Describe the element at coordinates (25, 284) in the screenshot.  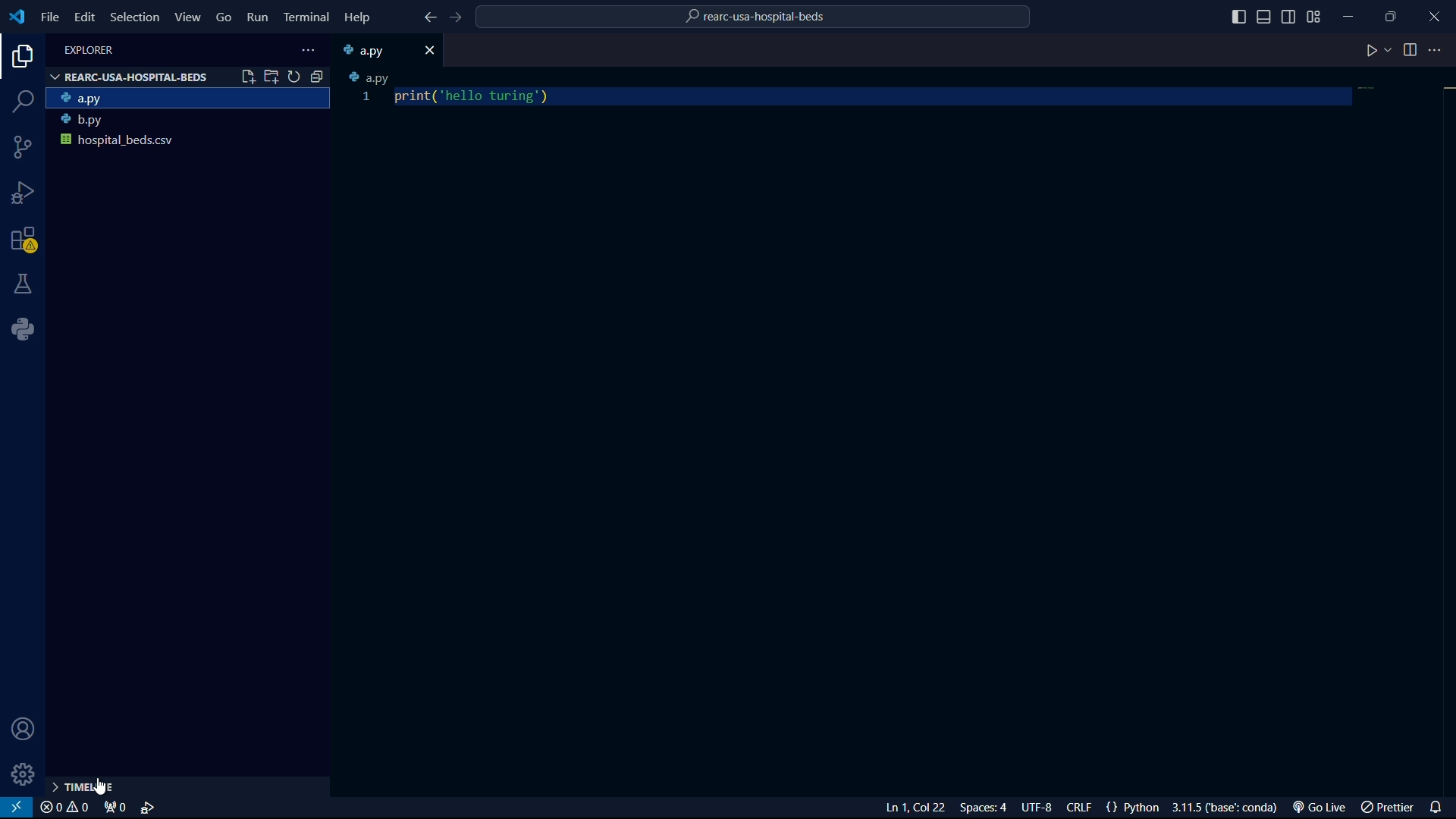
I see `testing` at that location.